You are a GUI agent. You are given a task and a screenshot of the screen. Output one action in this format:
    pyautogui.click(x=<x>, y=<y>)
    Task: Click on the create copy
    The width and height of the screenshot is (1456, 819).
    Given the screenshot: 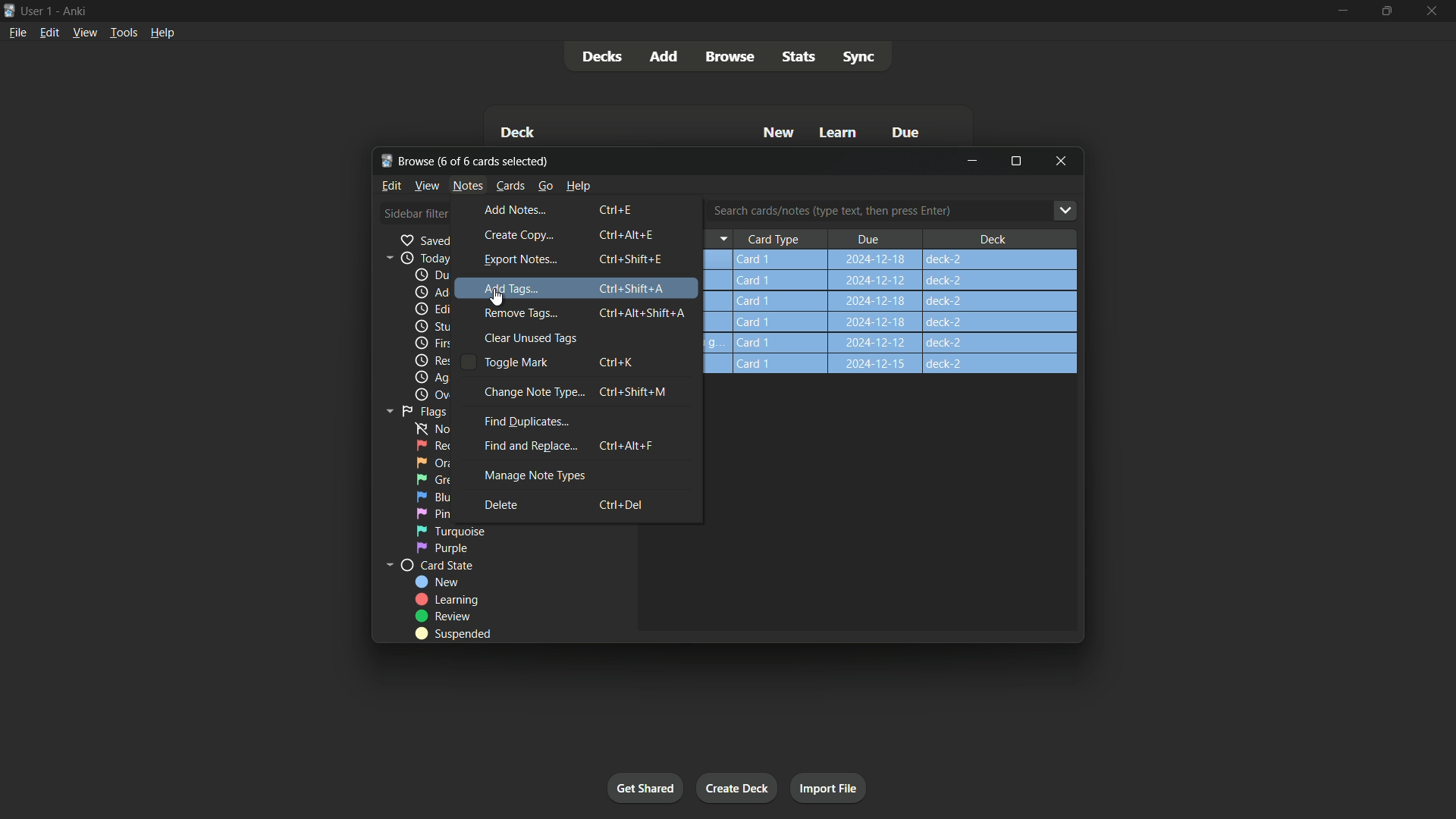 What is the action you would take?
    pyautogui.click(x=516, y=235)
    